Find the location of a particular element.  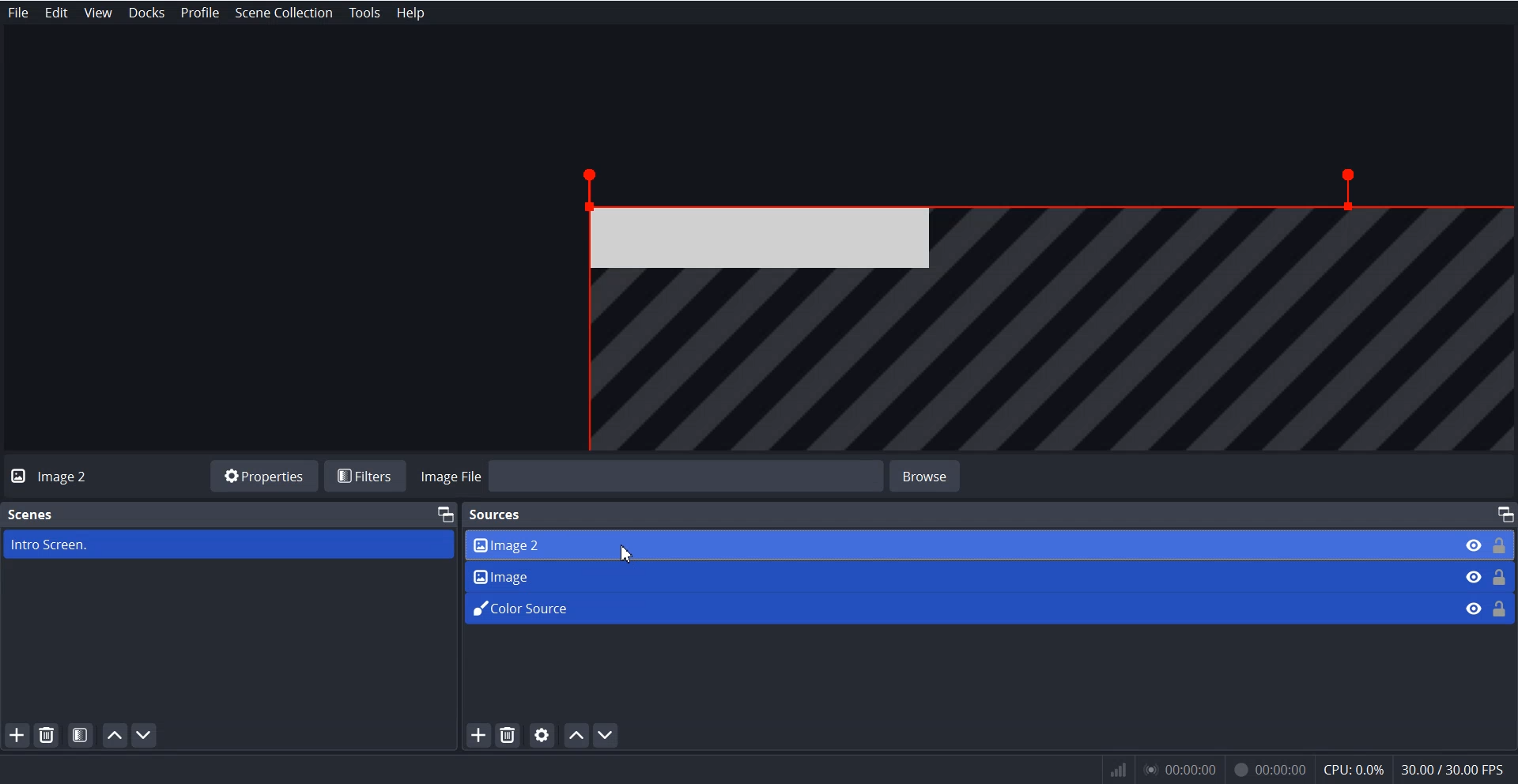

Scenes is located at coordinates (30, 514).